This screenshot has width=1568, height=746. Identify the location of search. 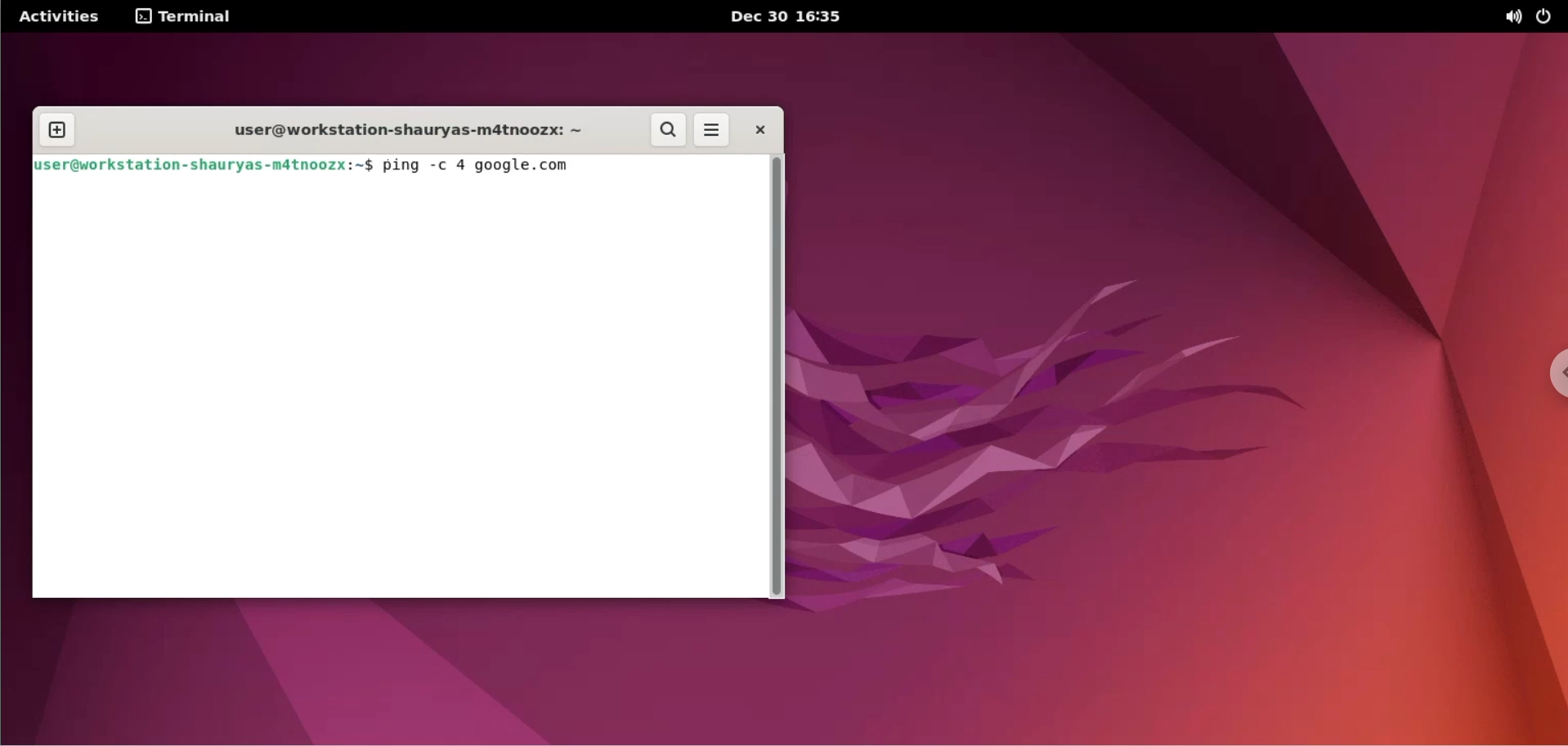
(668, 129).